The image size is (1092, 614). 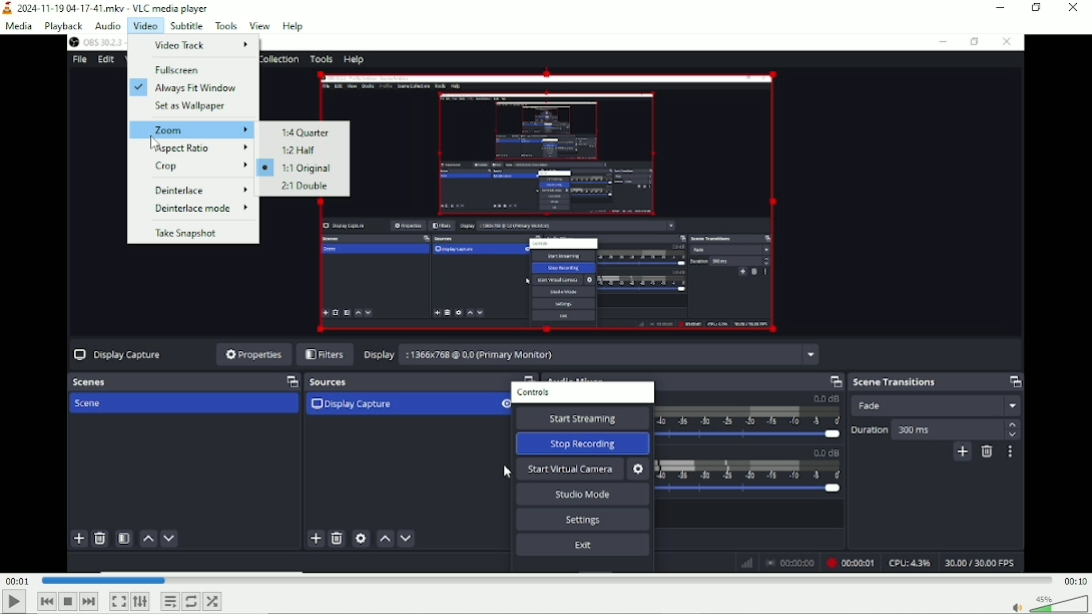 I want to click on Deinterlace mode, so click(x=195, y=210).